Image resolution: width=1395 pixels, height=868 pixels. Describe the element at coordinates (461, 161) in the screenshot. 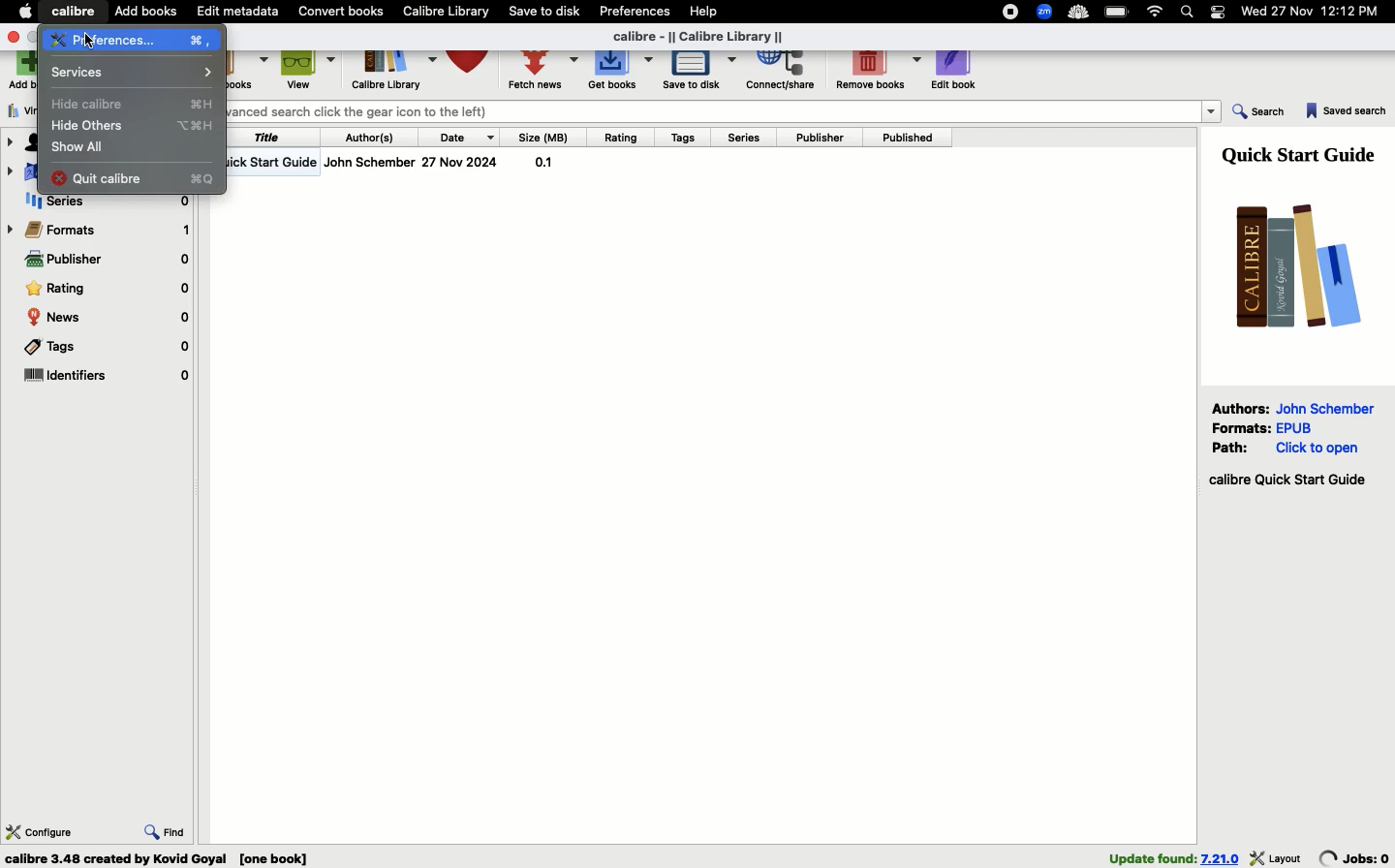

I see `date` at that location.